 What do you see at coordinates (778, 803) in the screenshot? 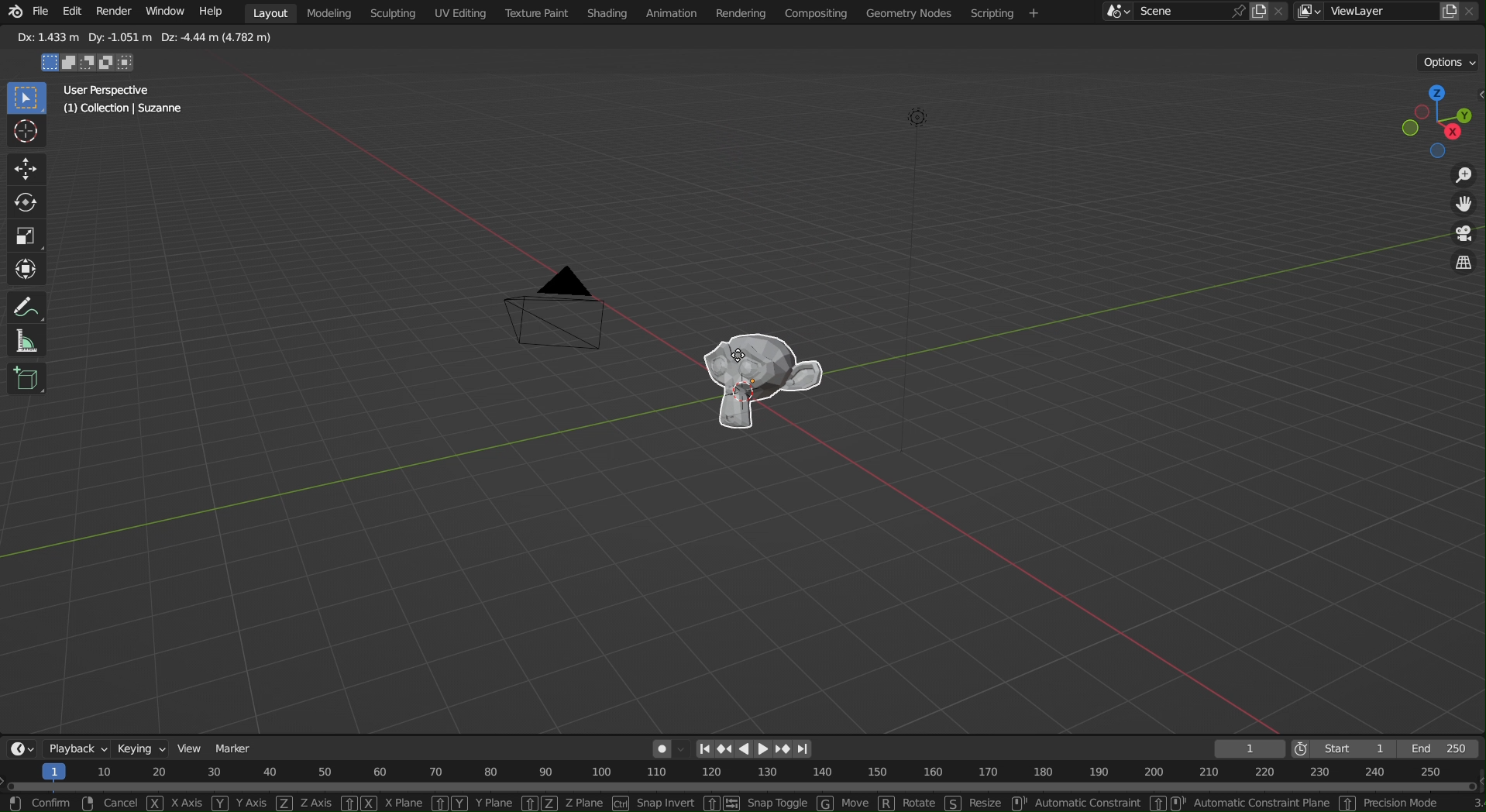
I see `snap toggle` at bounding box center [778, 803].